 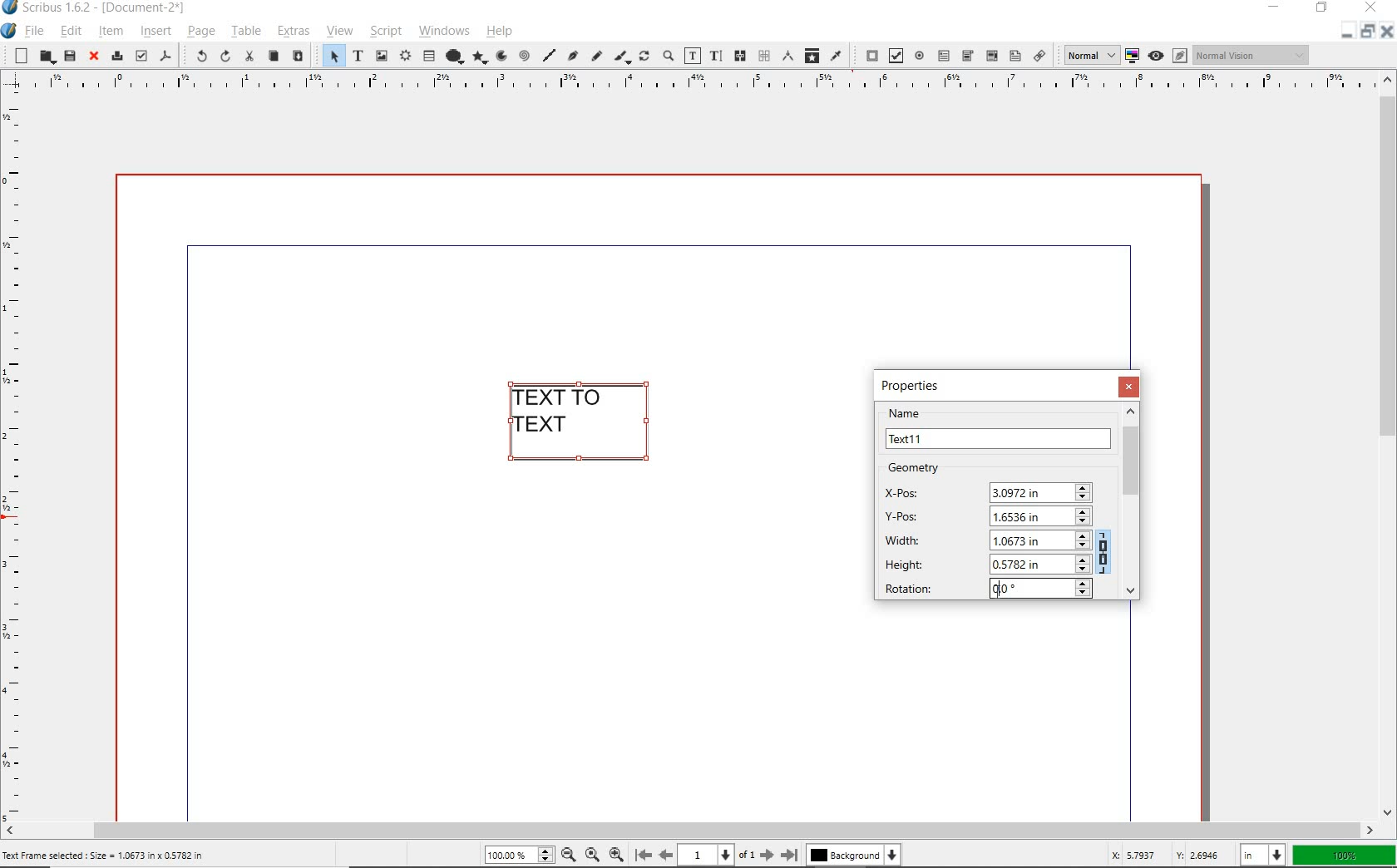 I want to click on edit text with story editor, so click(x=716, y=55).